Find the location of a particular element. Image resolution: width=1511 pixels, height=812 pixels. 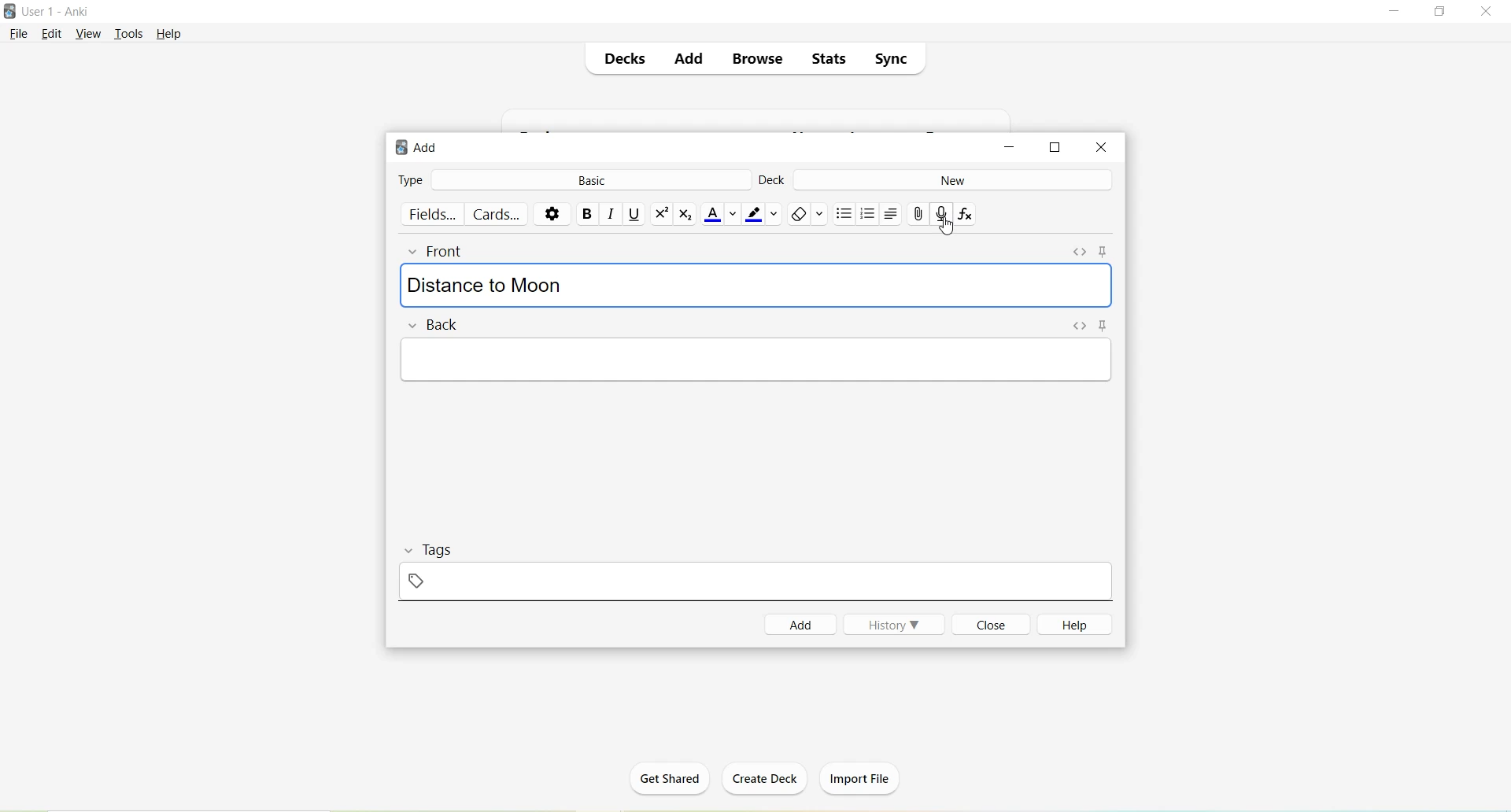

Toggle Sticky is located at coordinates (1109, 327).